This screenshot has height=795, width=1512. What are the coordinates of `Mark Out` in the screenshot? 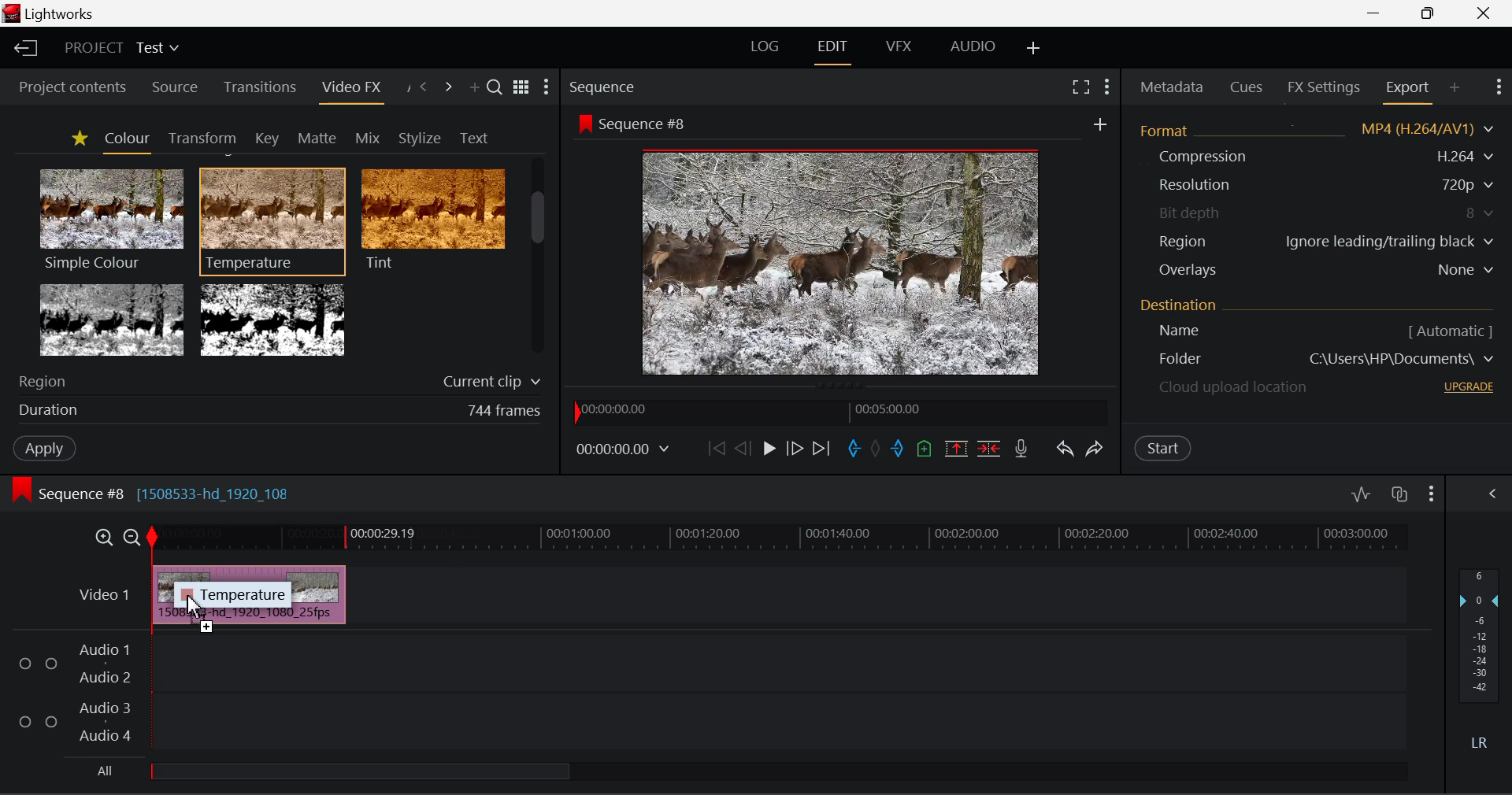 It's located at (898, 452).